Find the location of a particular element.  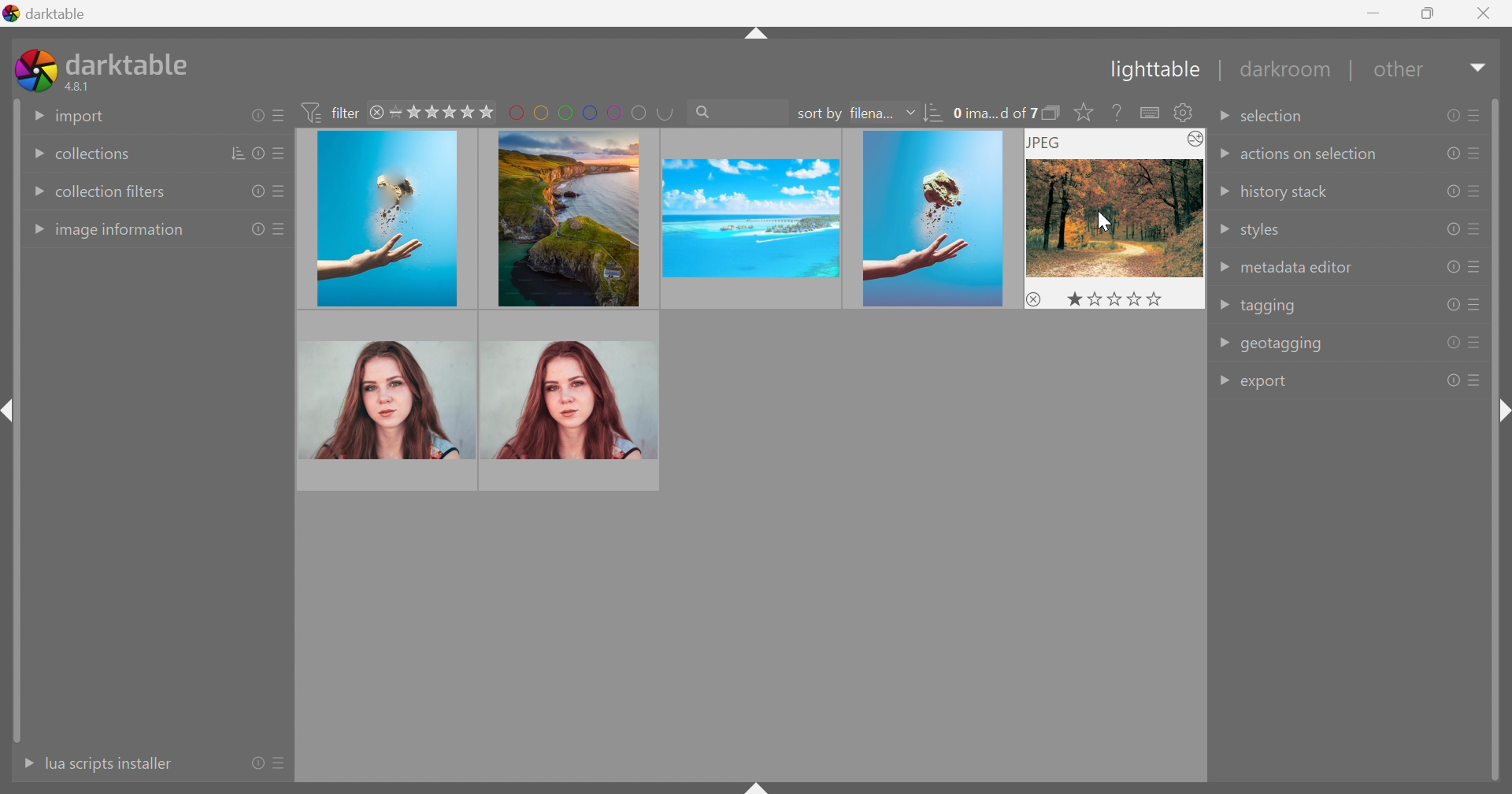

presets is located at coordinates (280, 228).